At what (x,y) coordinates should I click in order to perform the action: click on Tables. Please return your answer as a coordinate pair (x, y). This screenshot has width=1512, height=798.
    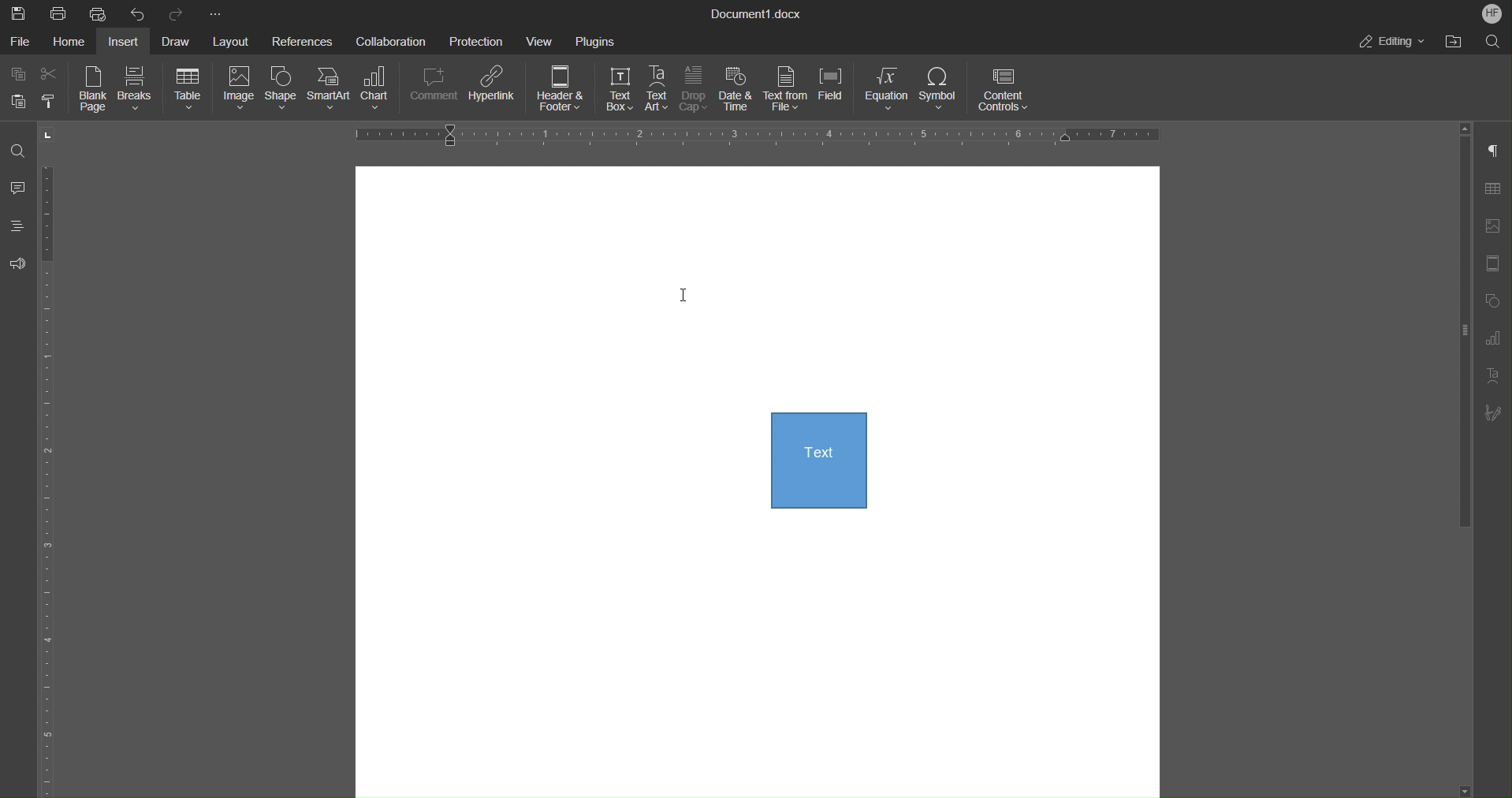
    Looking at the image, I should click on (1498, 188).